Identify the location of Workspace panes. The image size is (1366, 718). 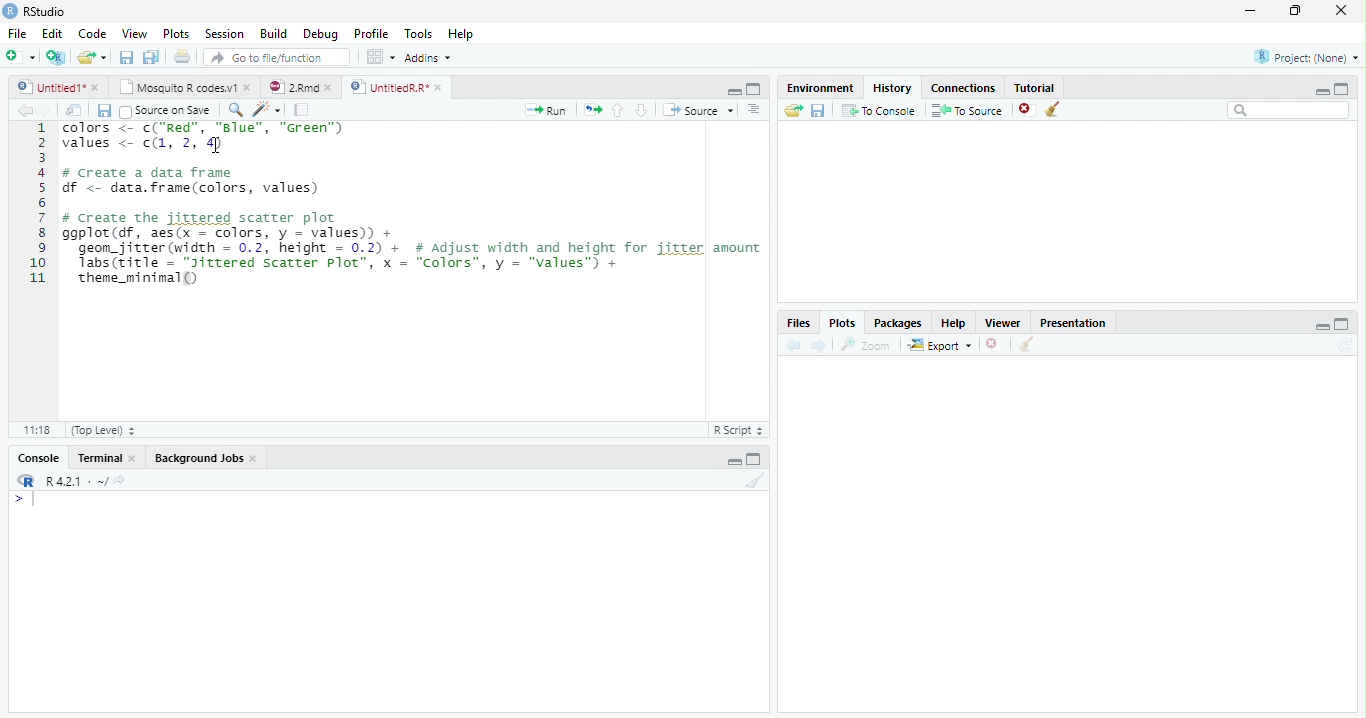
(381, 58).